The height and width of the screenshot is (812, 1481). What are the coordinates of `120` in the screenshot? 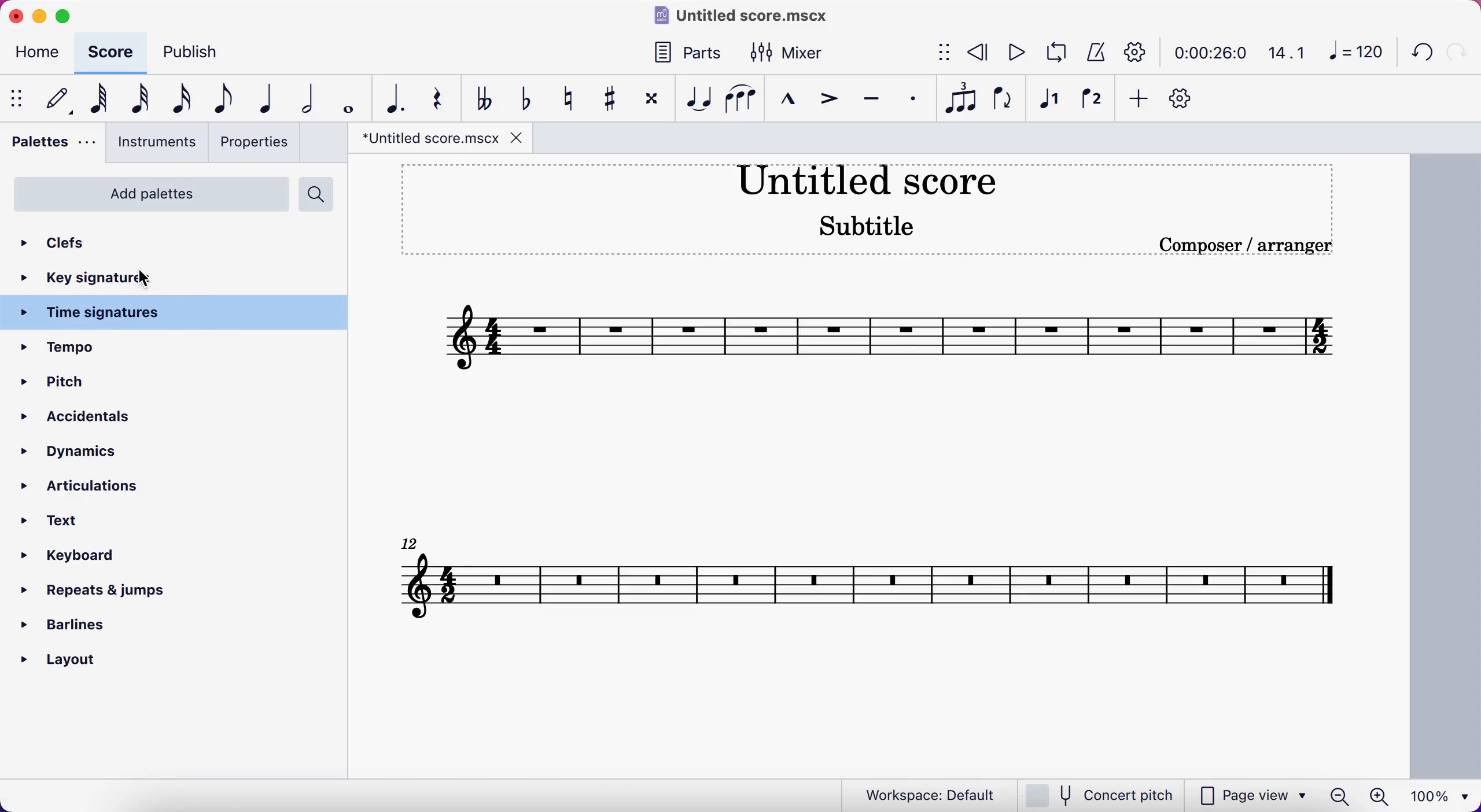 It's located at (1354, 51).